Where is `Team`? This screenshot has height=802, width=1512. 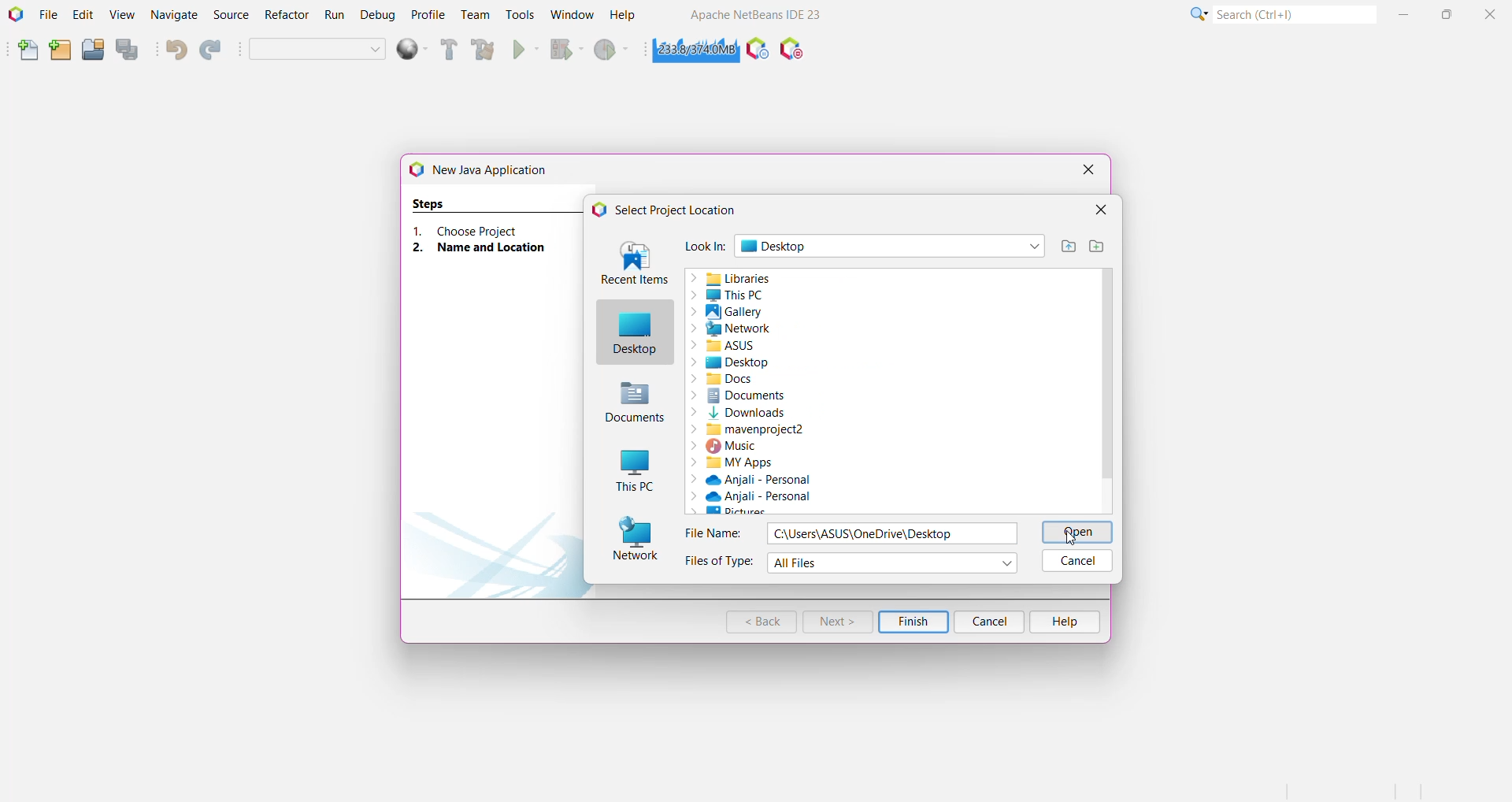
Team is located at coordinates (475, 16).